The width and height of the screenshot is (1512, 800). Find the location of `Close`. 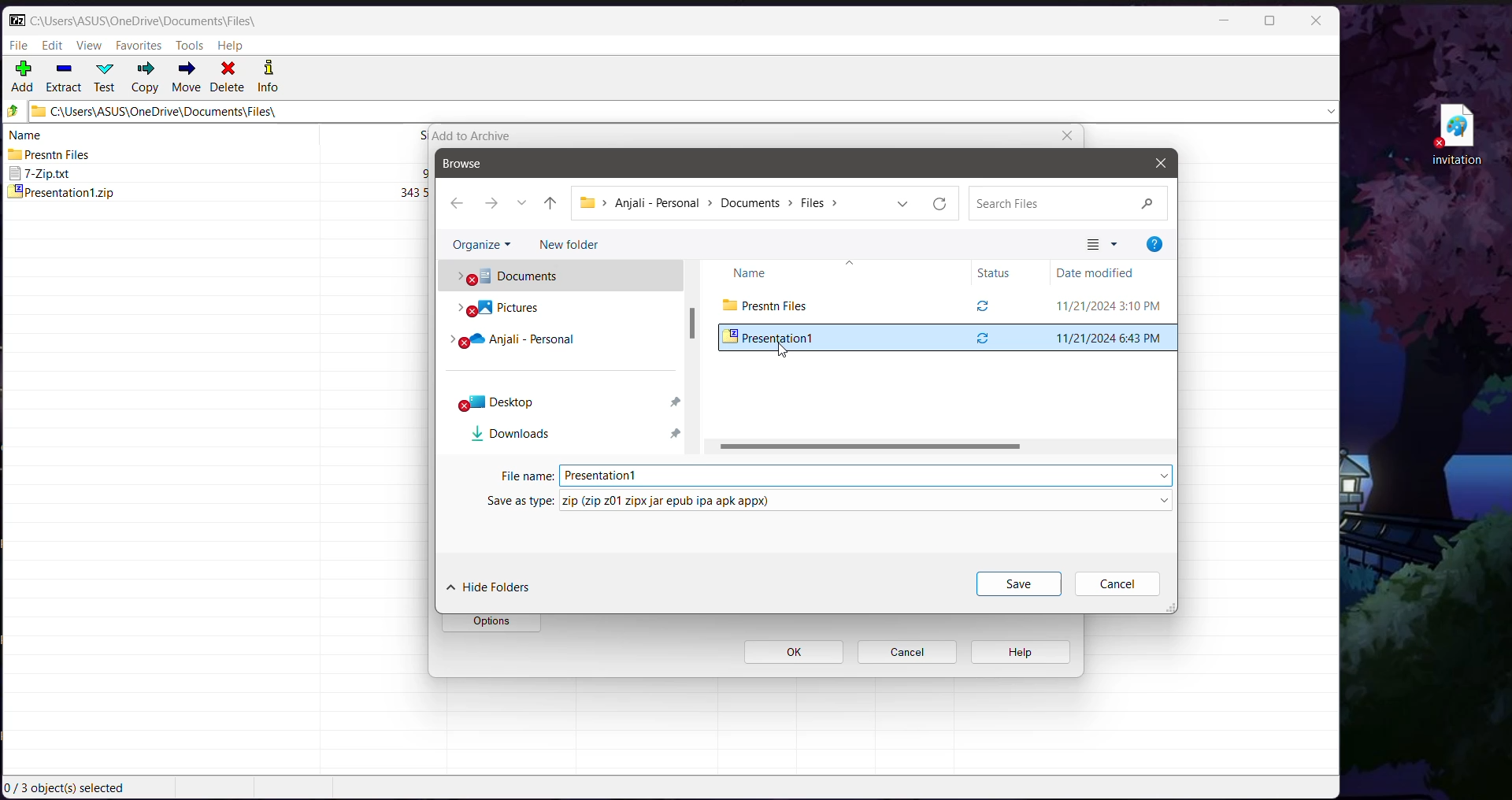

Close is located at coordinates (1161, 163).